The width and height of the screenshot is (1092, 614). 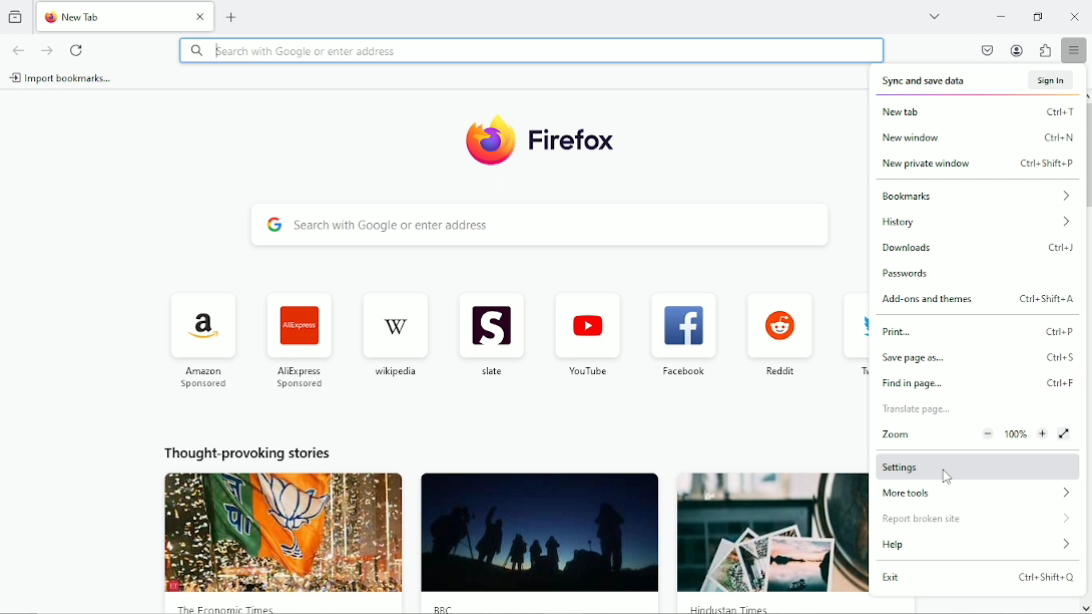 I want to click on report broken site, so click(x=977, y=517).